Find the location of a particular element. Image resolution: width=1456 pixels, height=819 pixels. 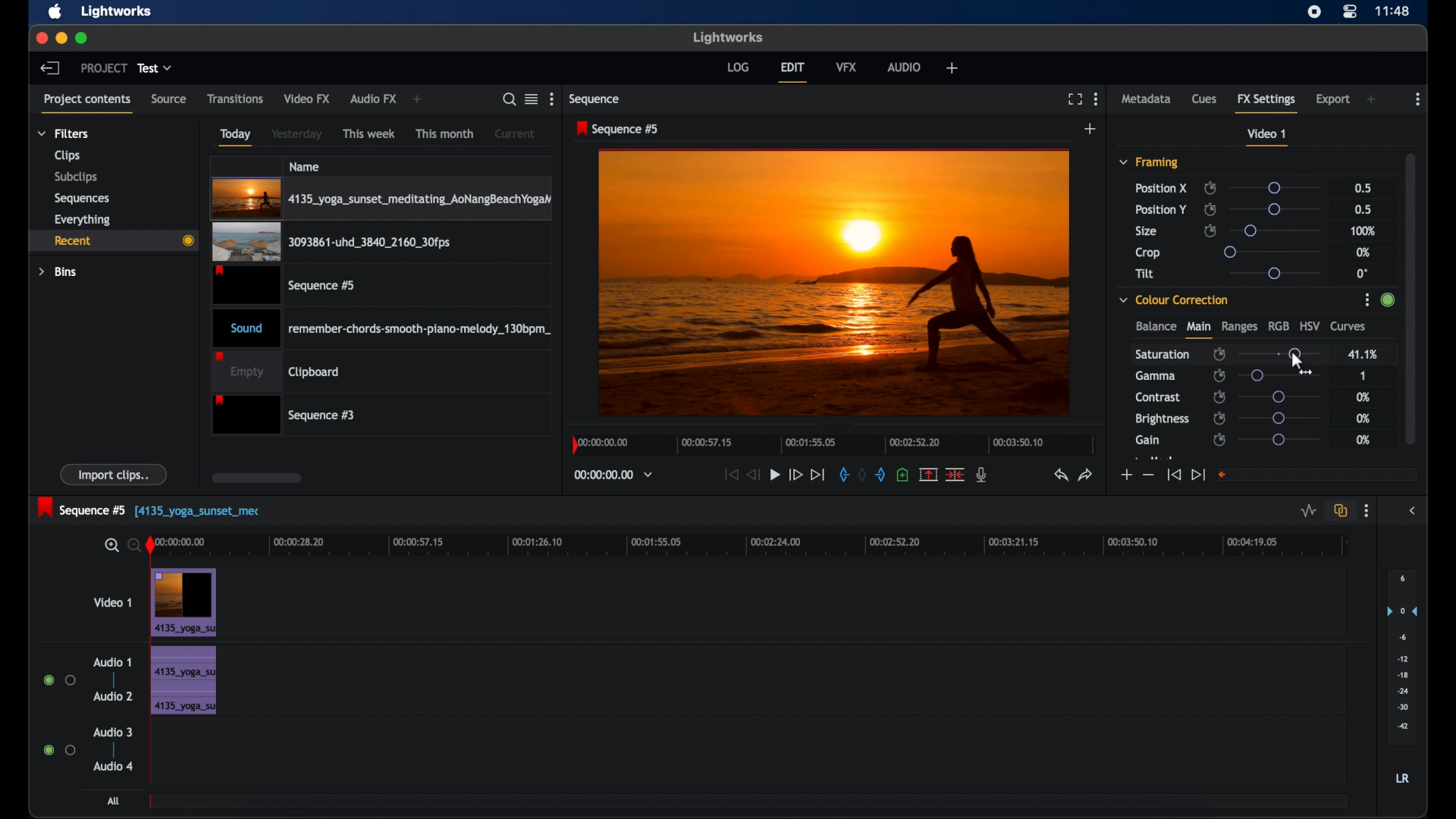

more options is located at coordinates (551, 99).